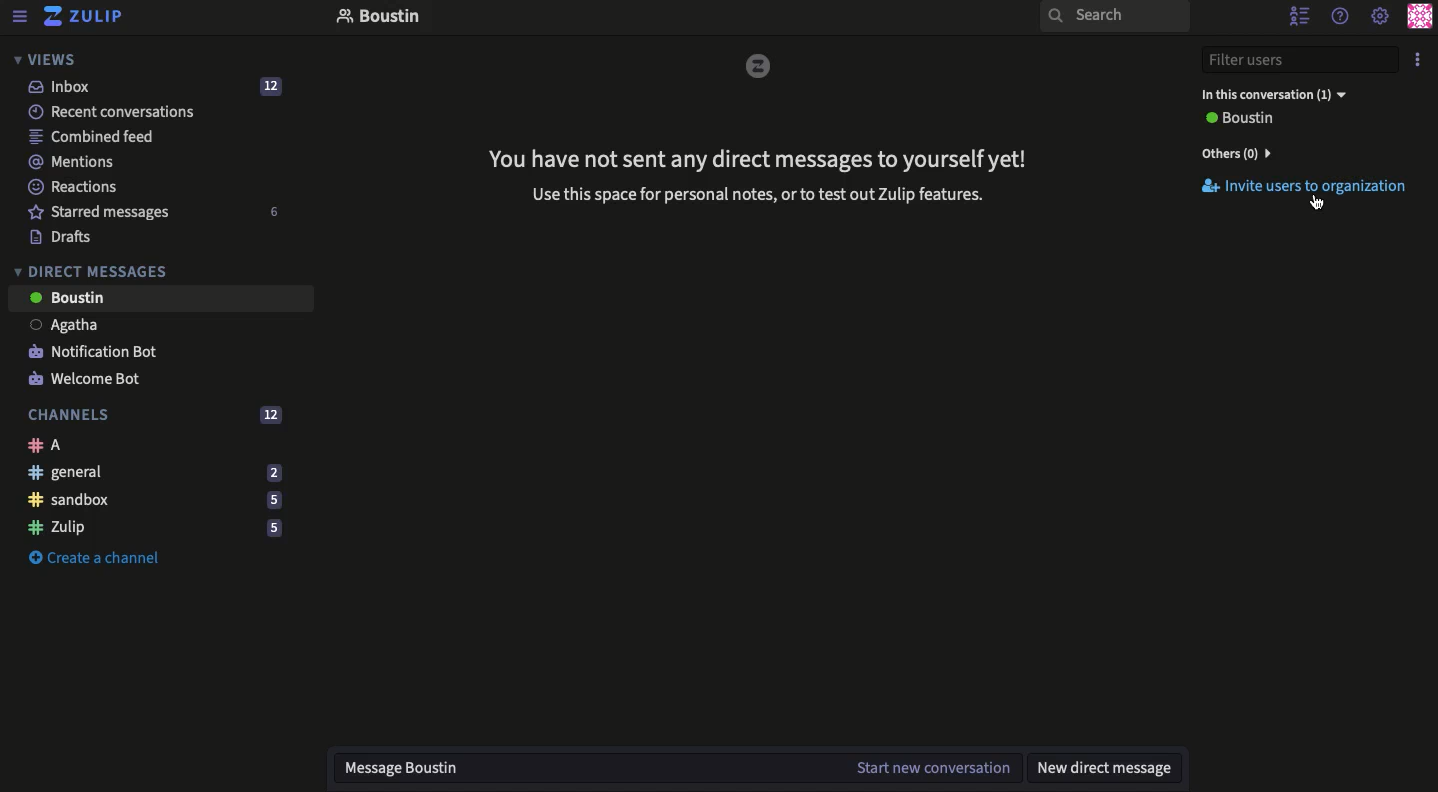 This screenshot has height=792, width=1438. I want to click on Inbox, so click(146, 87).